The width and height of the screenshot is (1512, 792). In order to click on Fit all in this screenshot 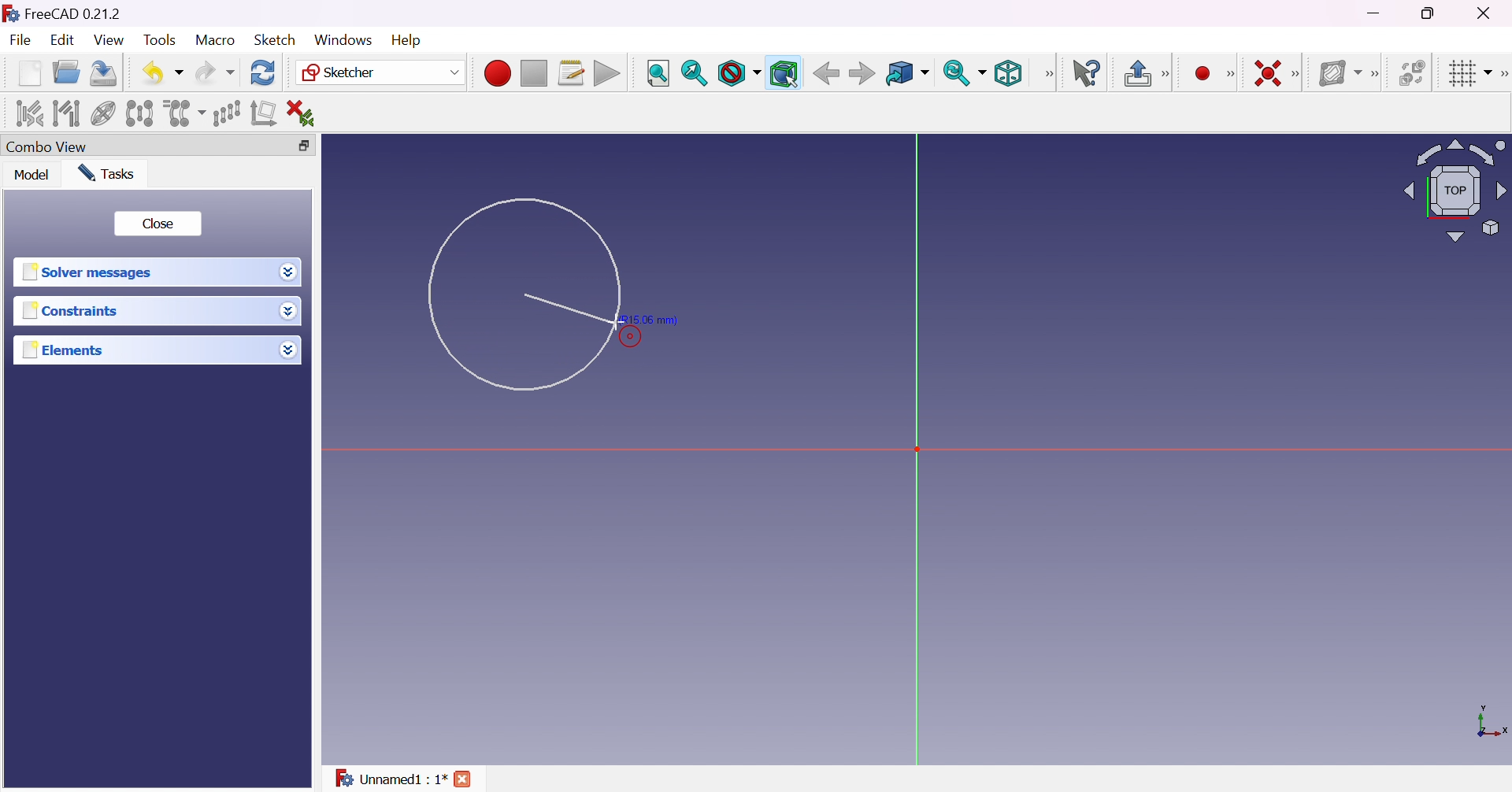, I will do `click(658, 74)`.